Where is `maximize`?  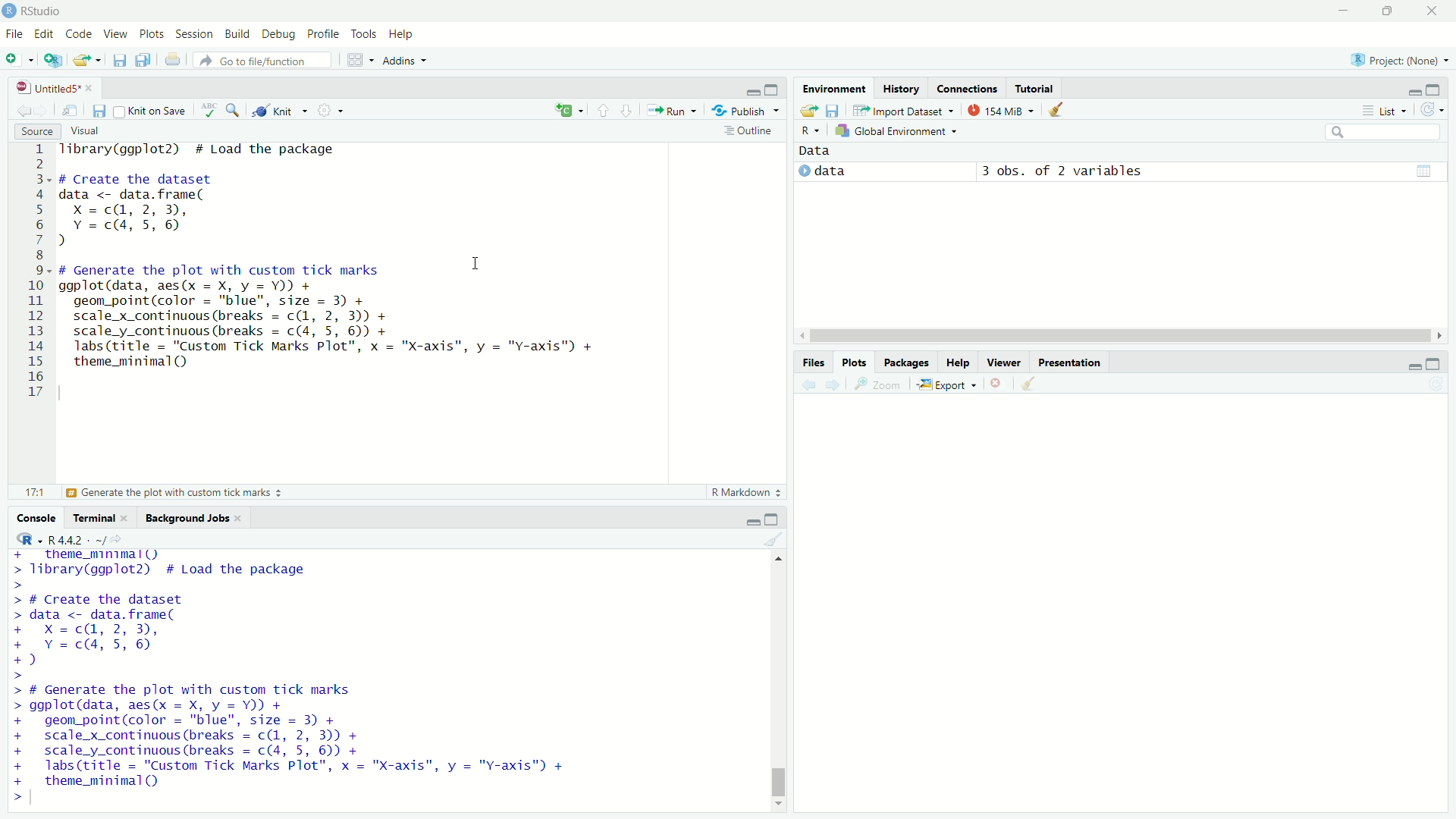 maximize is located at coordinates (1385, 9).